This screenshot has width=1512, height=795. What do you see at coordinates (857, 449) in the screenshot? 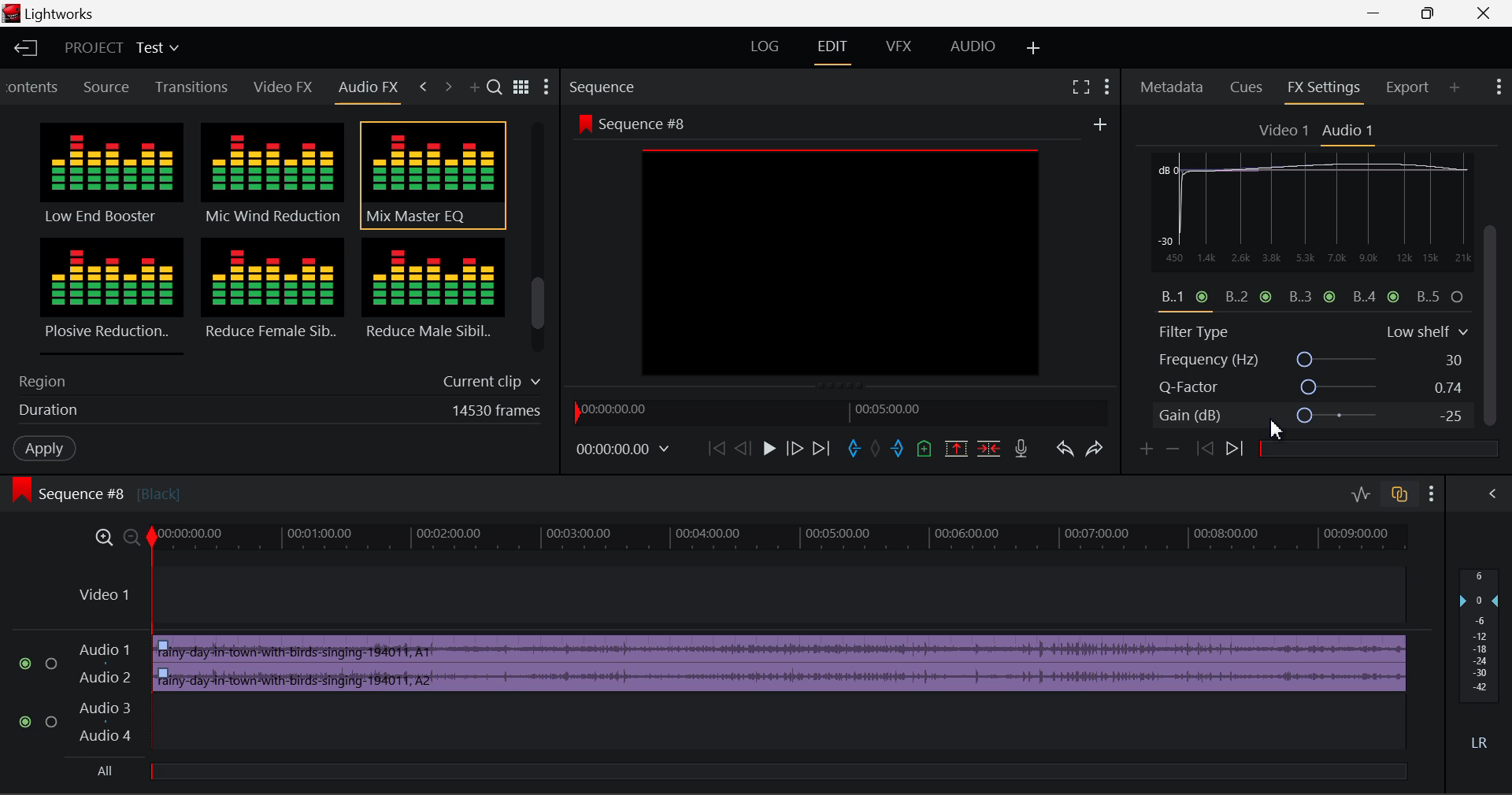
I see `Mark In` at bounding box center [857, 449].